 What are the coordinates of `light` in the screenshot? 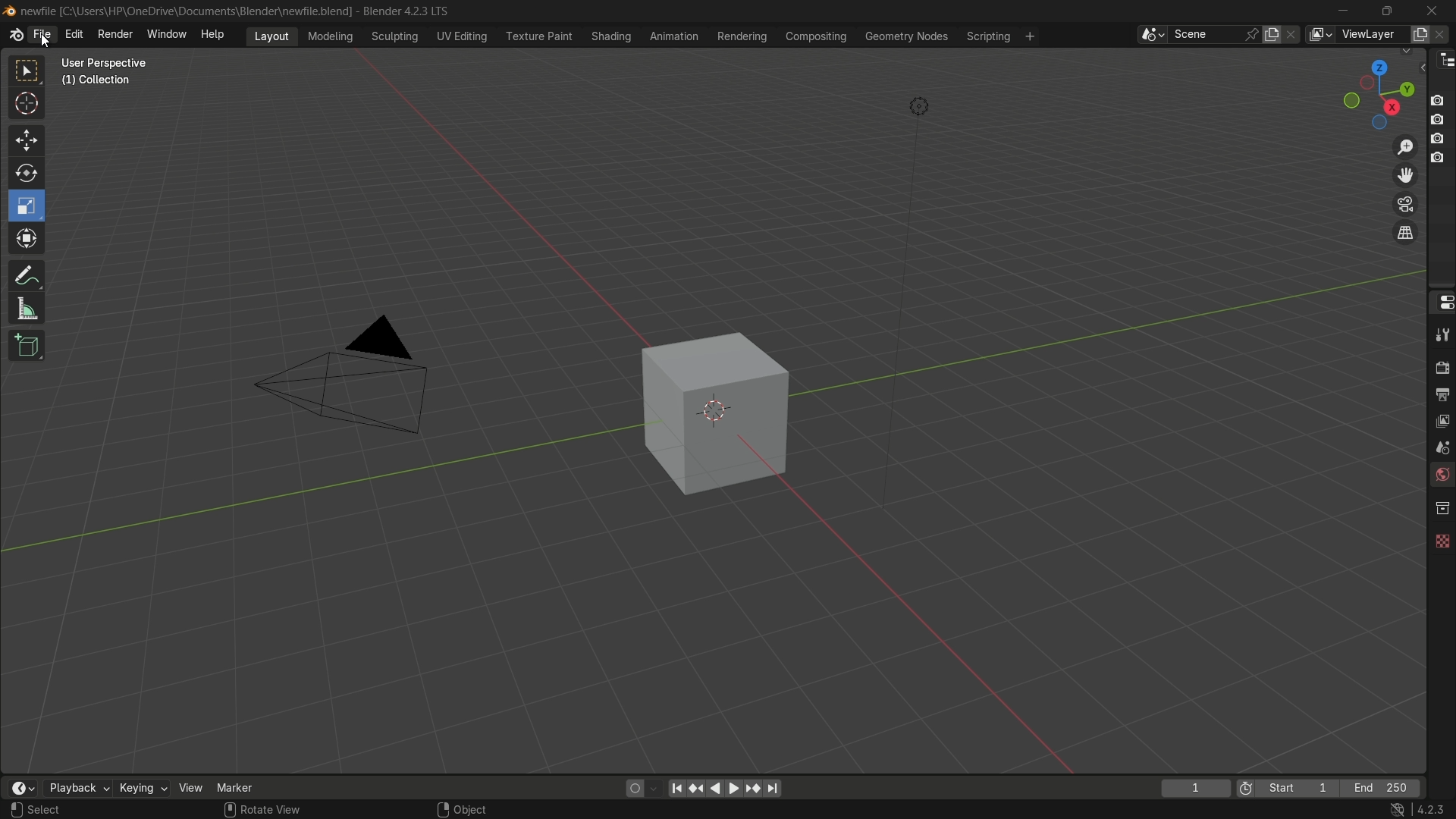 It's located at (919, 109).